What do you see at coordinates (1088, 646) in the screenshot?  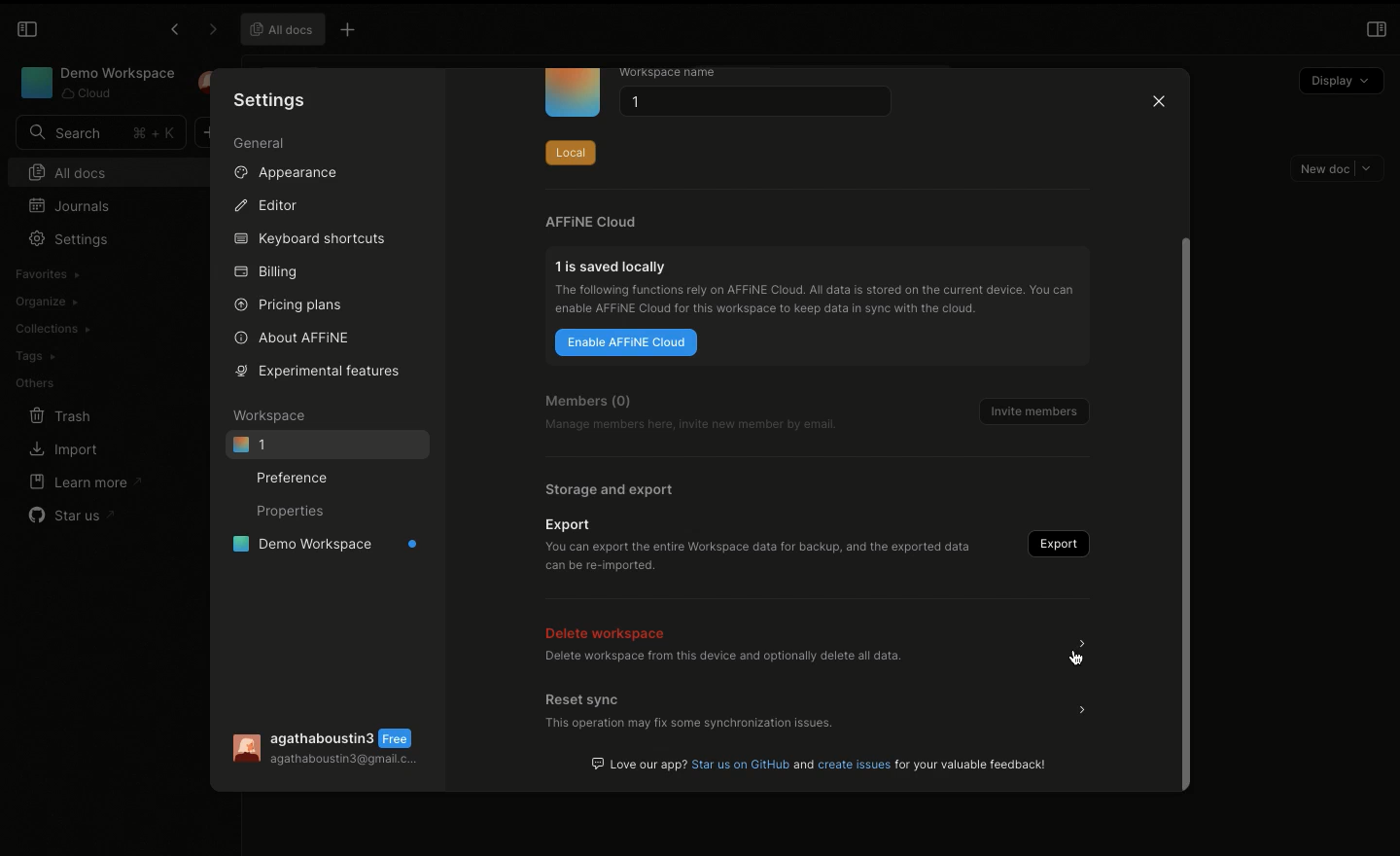 I see `Accordion` at bounding box center [1088, 646].